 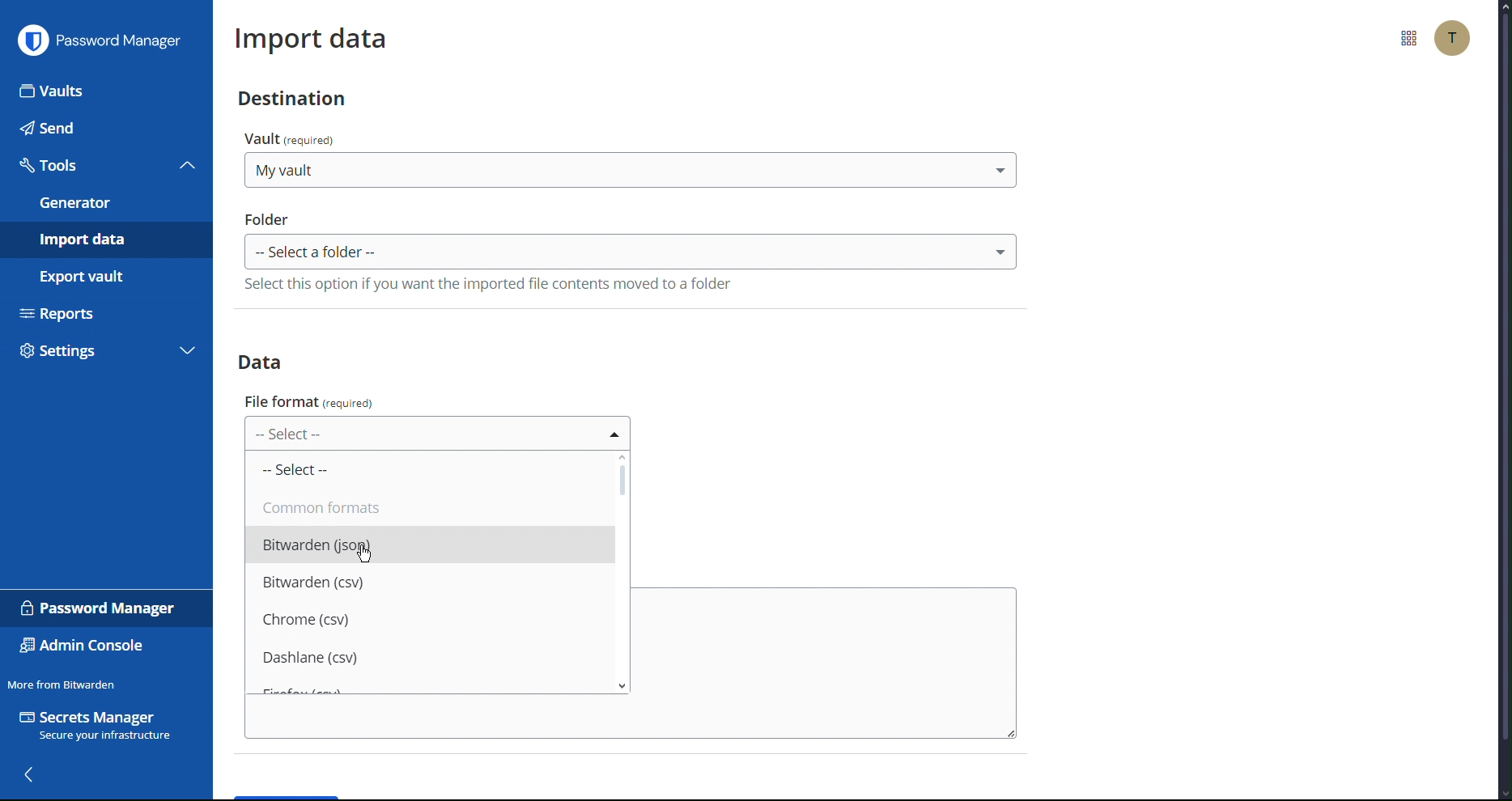 What do you see at coordinates (32, 774) in the screenshot?
I see `back` at bounding box center [32, 774].